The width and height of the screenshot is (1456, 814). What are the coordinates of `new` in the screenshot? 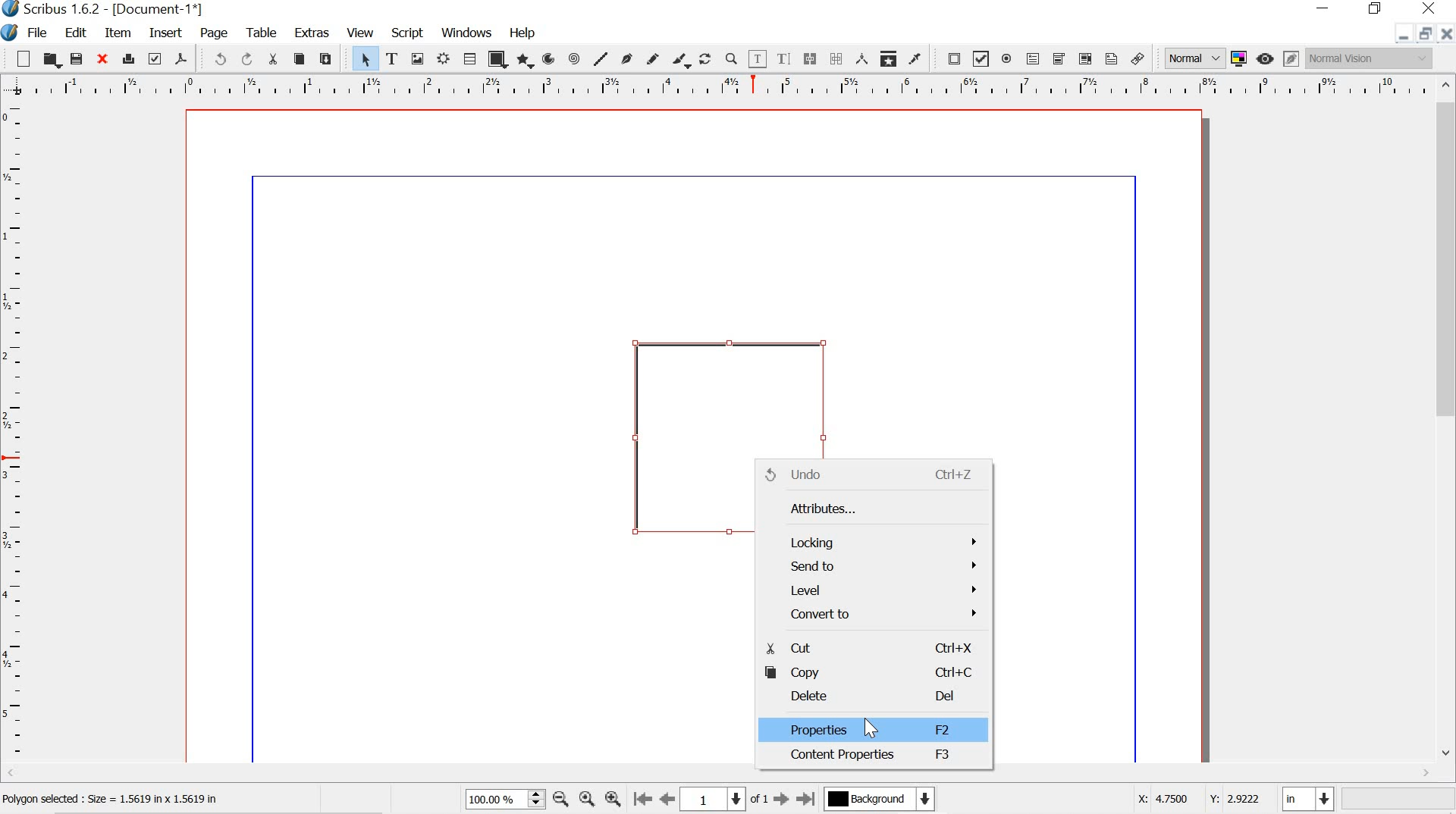 It's located at (18, 58).